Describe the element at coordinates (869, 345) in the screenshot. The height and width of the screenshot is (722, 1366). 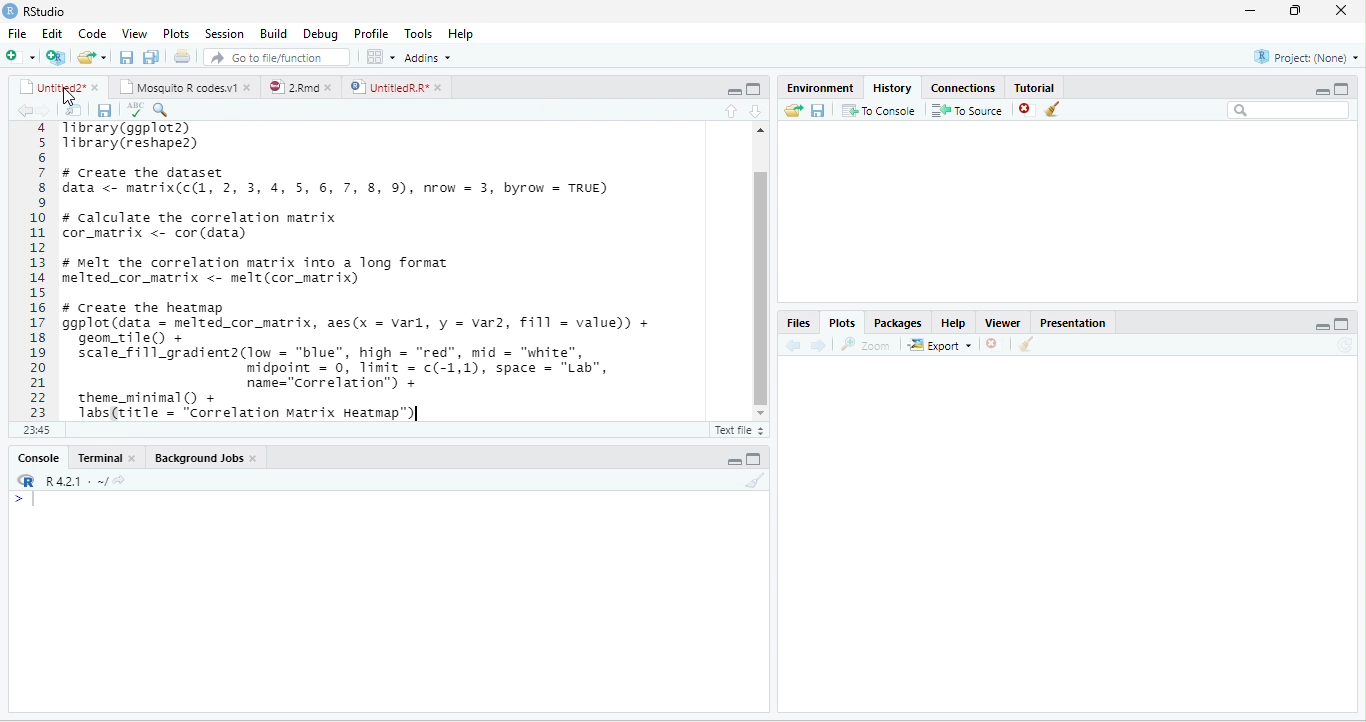
I see `zoom` at that location.